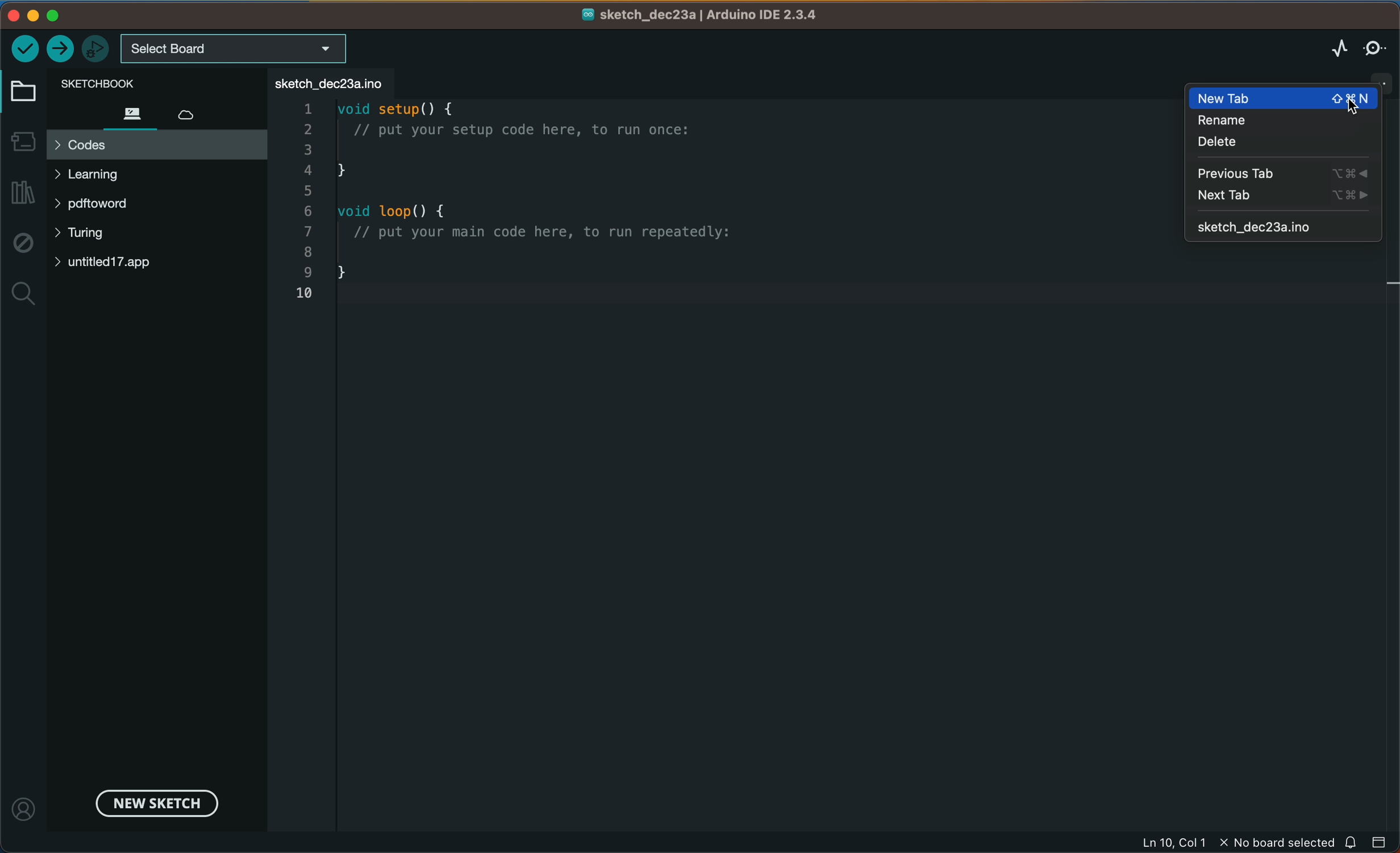 This screenshot has height=853, width=1400. Describe the element at coordinates (24, 193) in the screenshot. I see `library manager` at that location.